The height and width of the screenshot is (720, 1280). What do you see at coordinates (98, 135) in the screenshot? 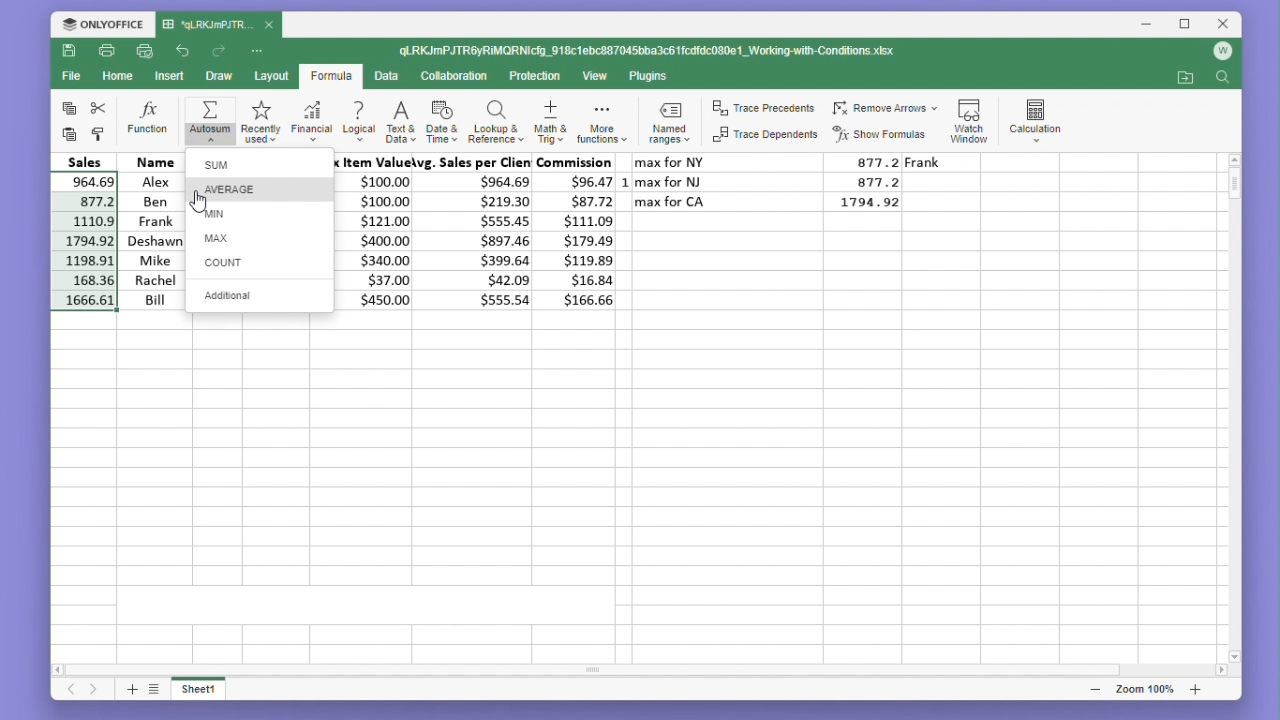
I see `Format painter` at bounding box center [98, 135].